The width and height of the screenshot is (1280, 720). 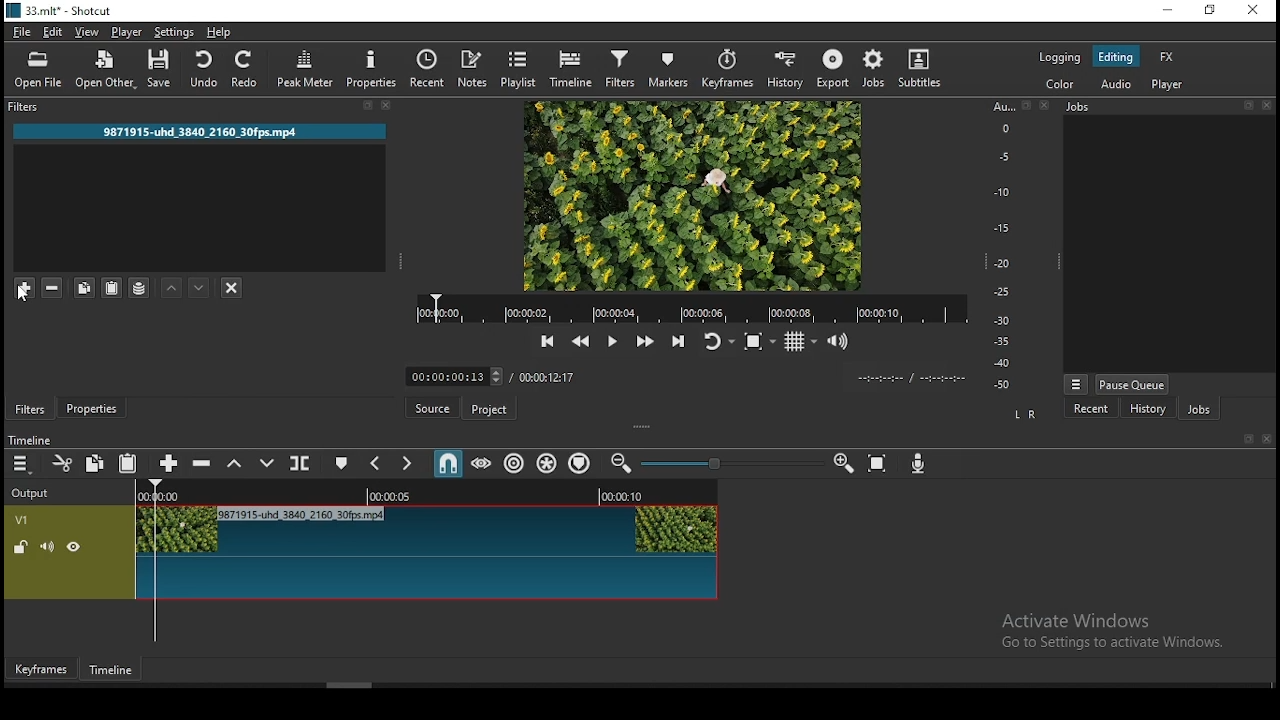 What do you see at coordinates (373, 69) in the screenshot?
I see `properties` at bounding box center [373, 69].